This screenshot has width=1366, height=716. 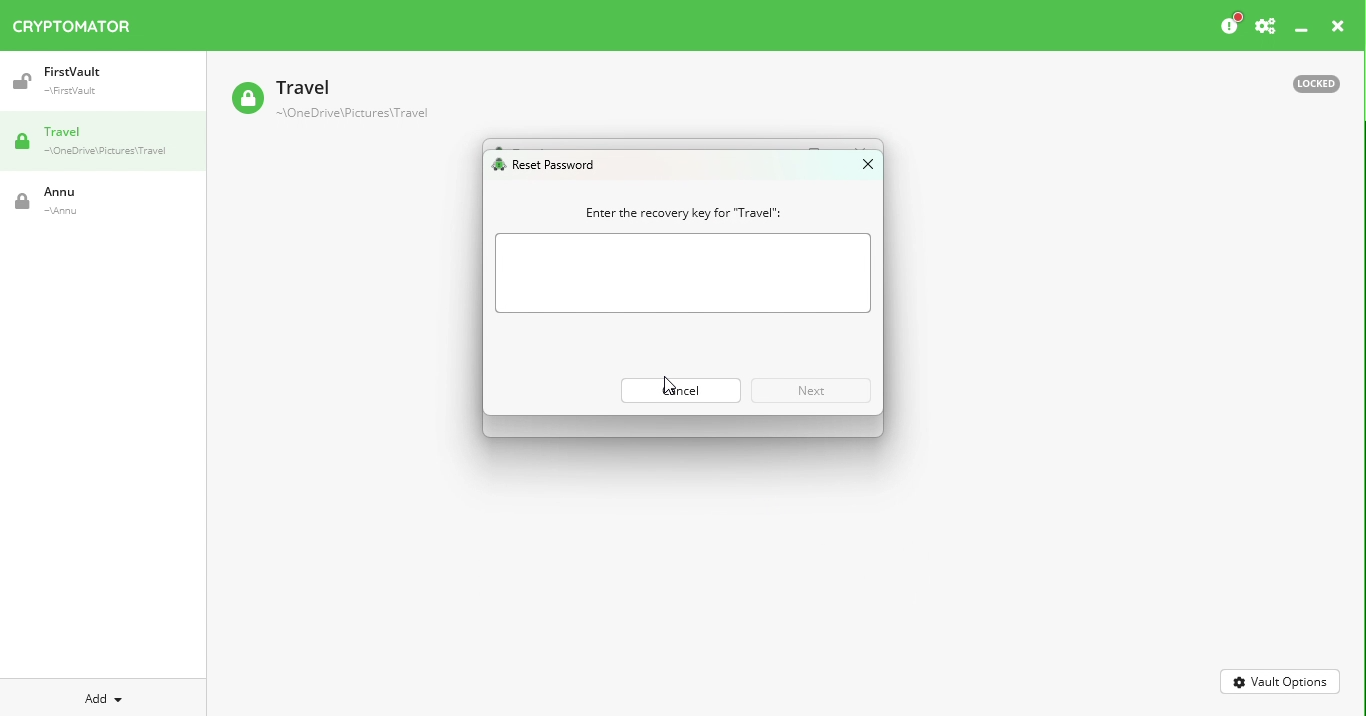 What do you see at coordinates (1229, 25) in the screenshot?
I see `Please consider donating` at bounding box center [1229, 25].